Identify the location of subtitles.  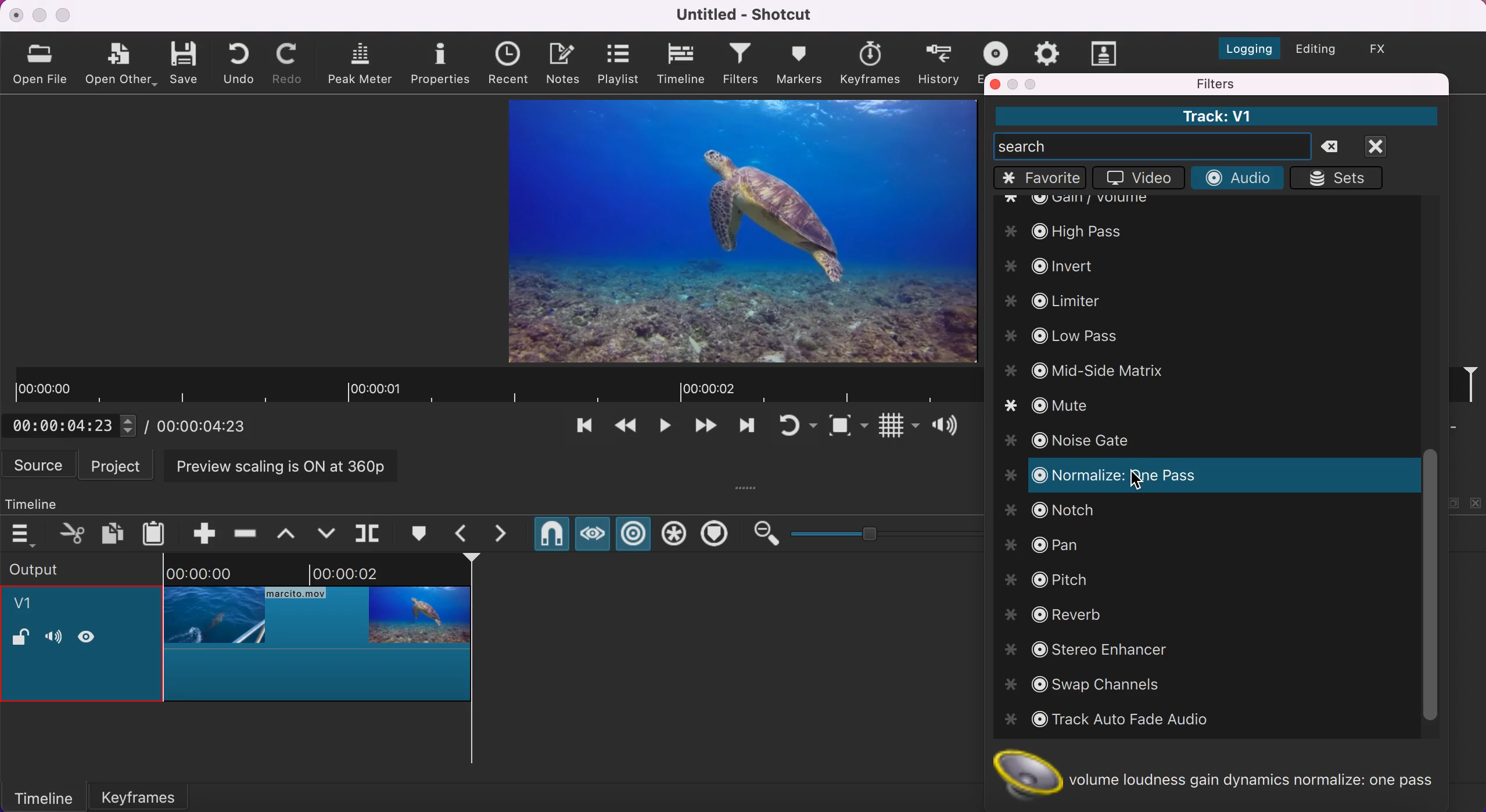
(1105, 53).